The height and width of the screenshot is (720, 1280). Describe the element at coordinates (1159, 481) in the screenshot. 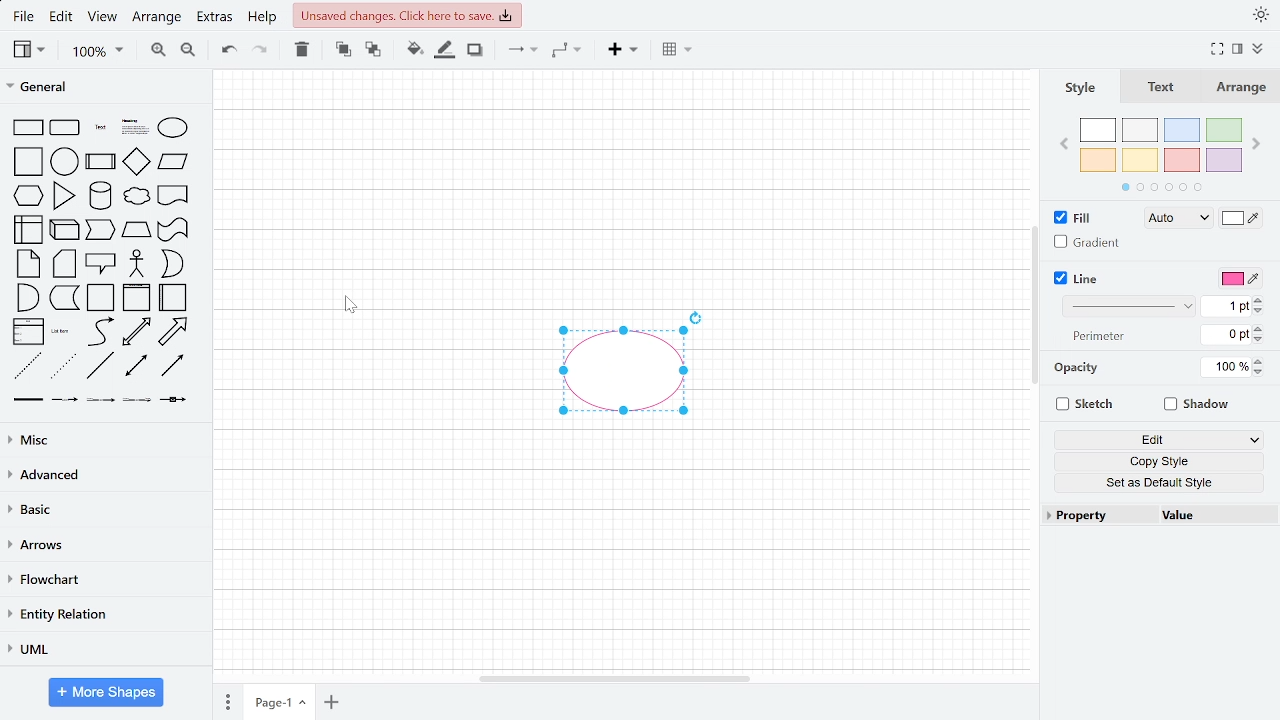

I see `set as default page style` at that location.